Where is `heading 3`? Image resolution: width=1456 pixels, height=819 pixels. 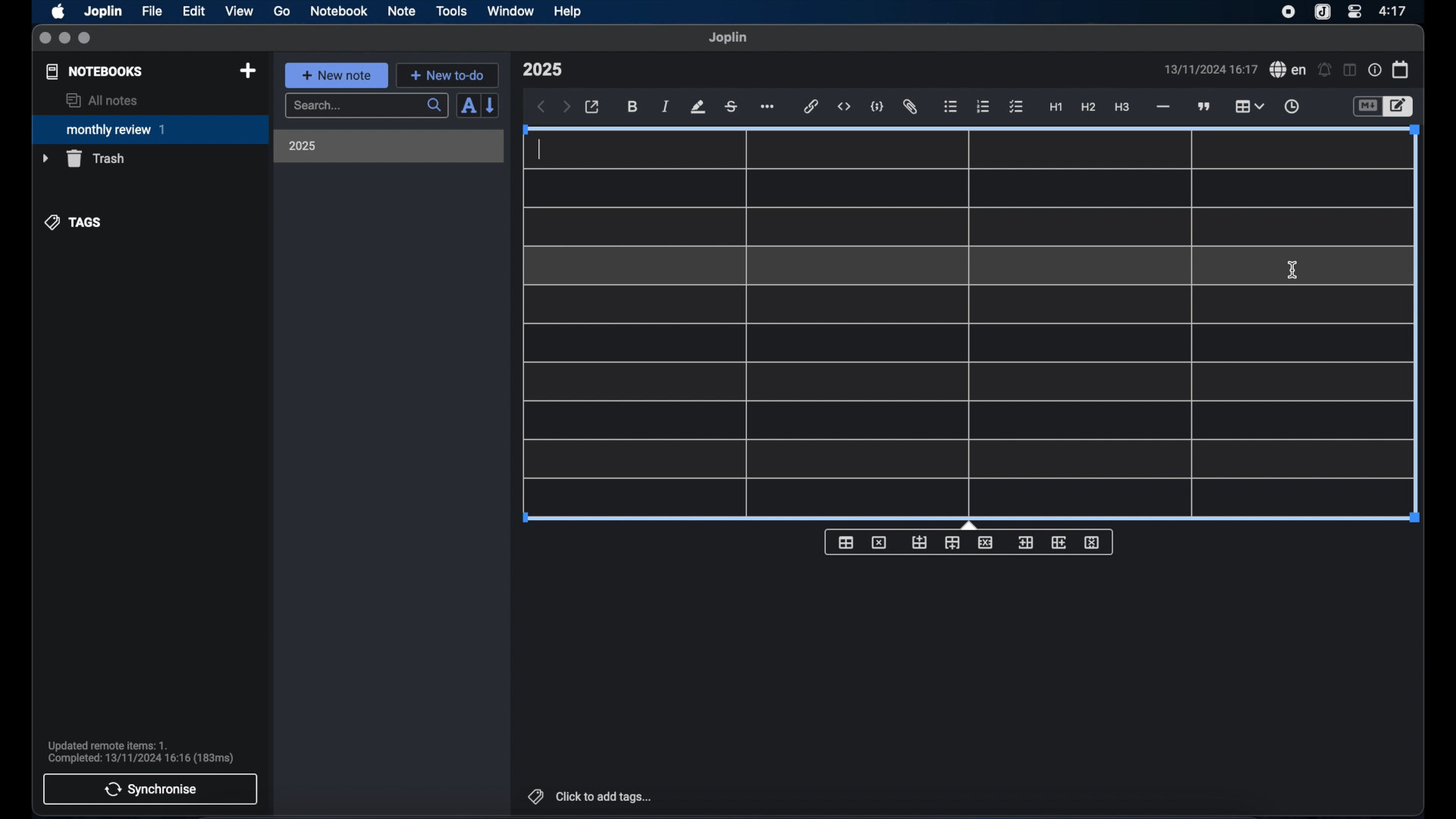 heading 3 is located at coordinates (1122, 108).